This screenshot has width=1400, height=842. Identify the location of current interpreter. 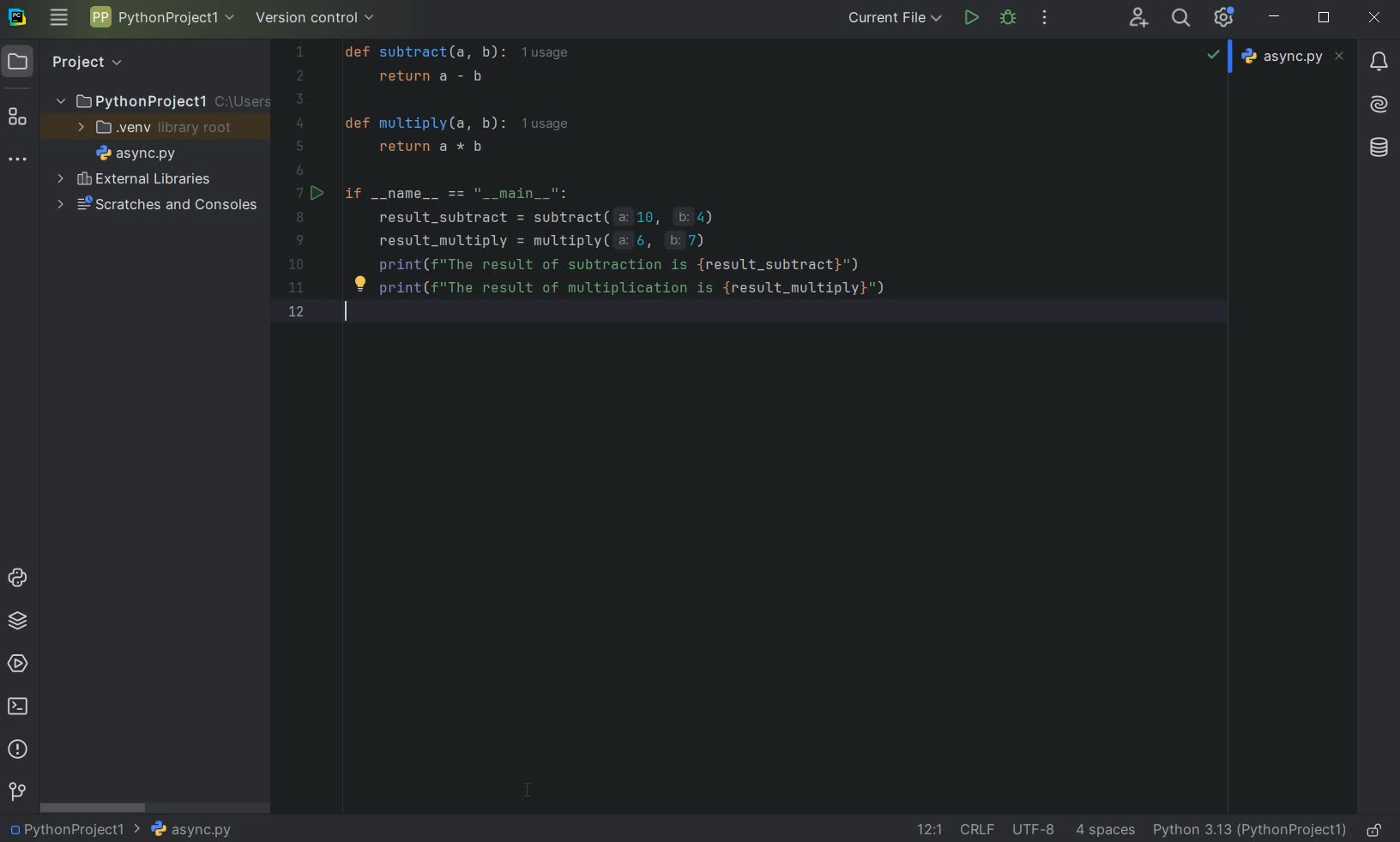
(1251, 829).